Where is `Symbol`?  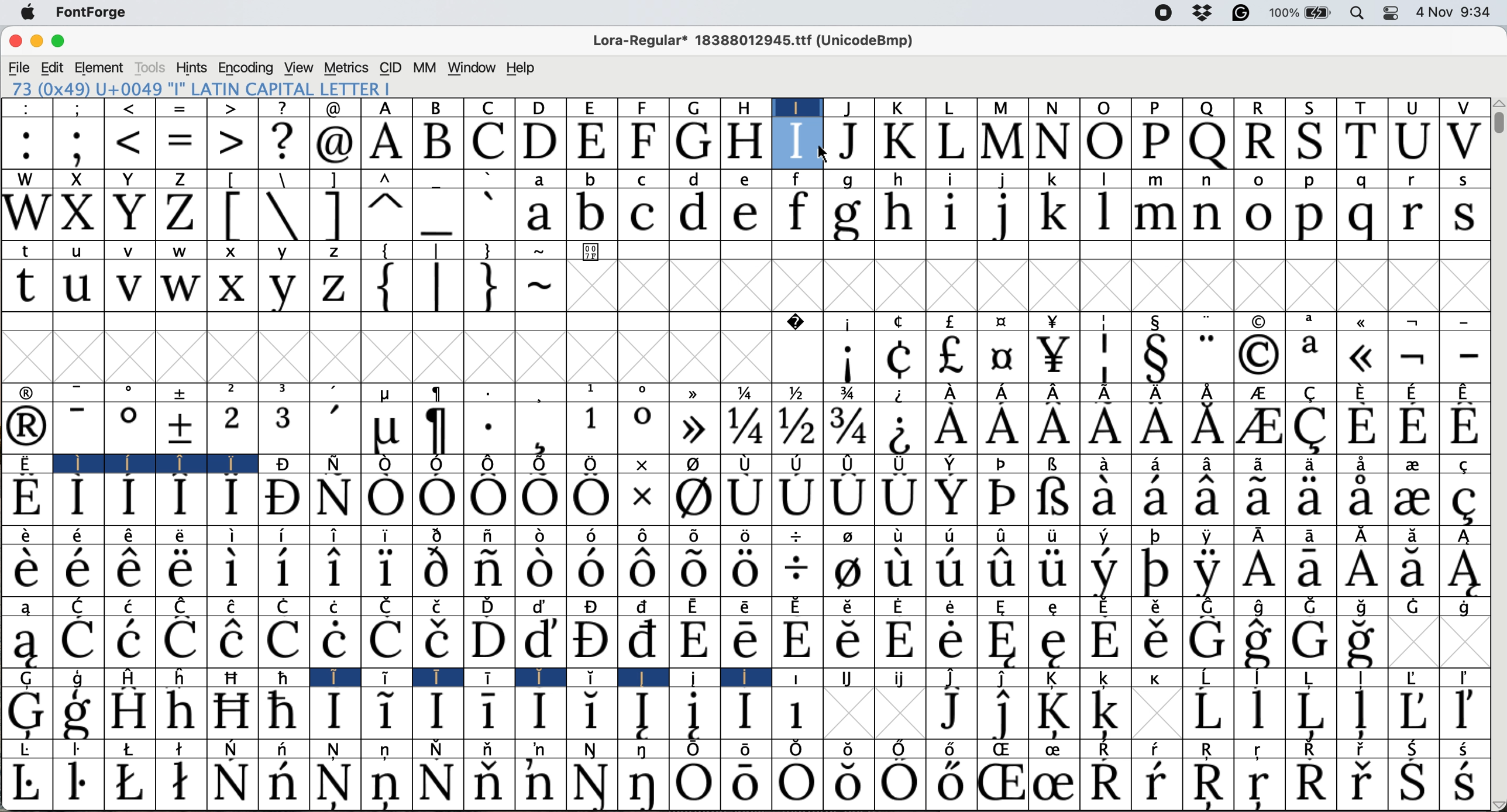
Symbol is located at coordinates (1261, 393).